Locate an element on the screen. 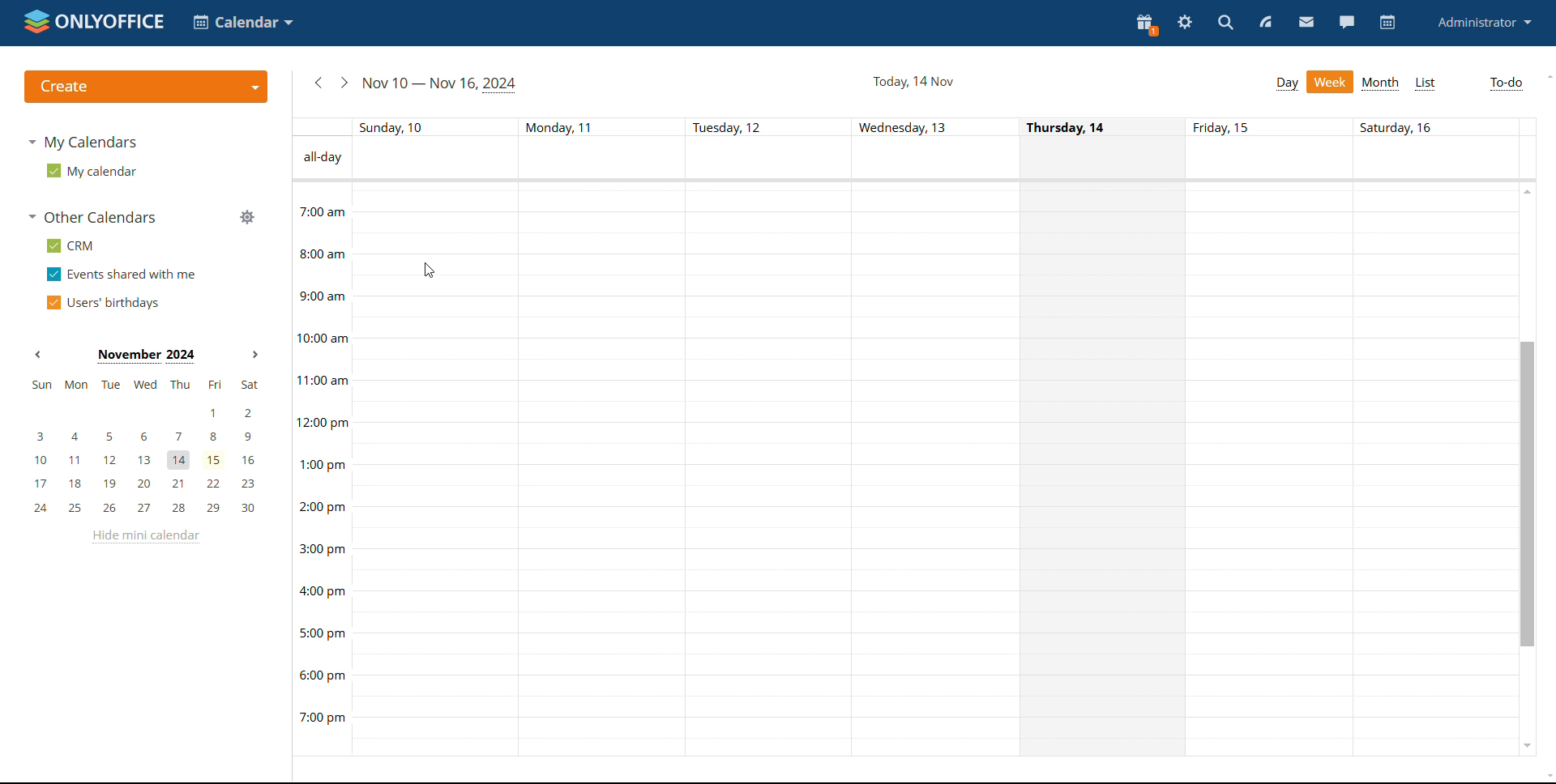  users' birthdays is located at coordinates (102, 303).